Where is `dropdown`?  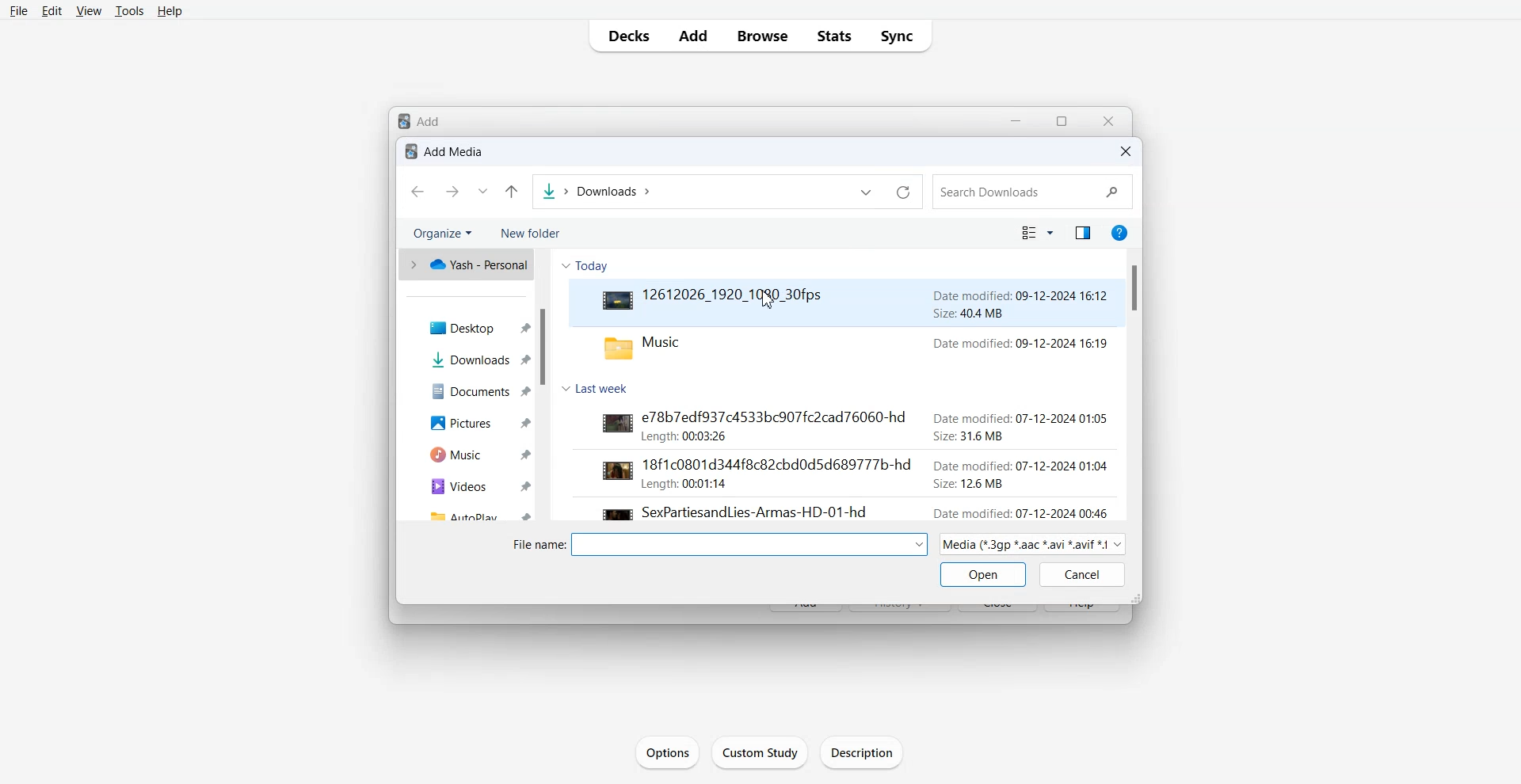 dropdown is located at coordinates (752, 546).